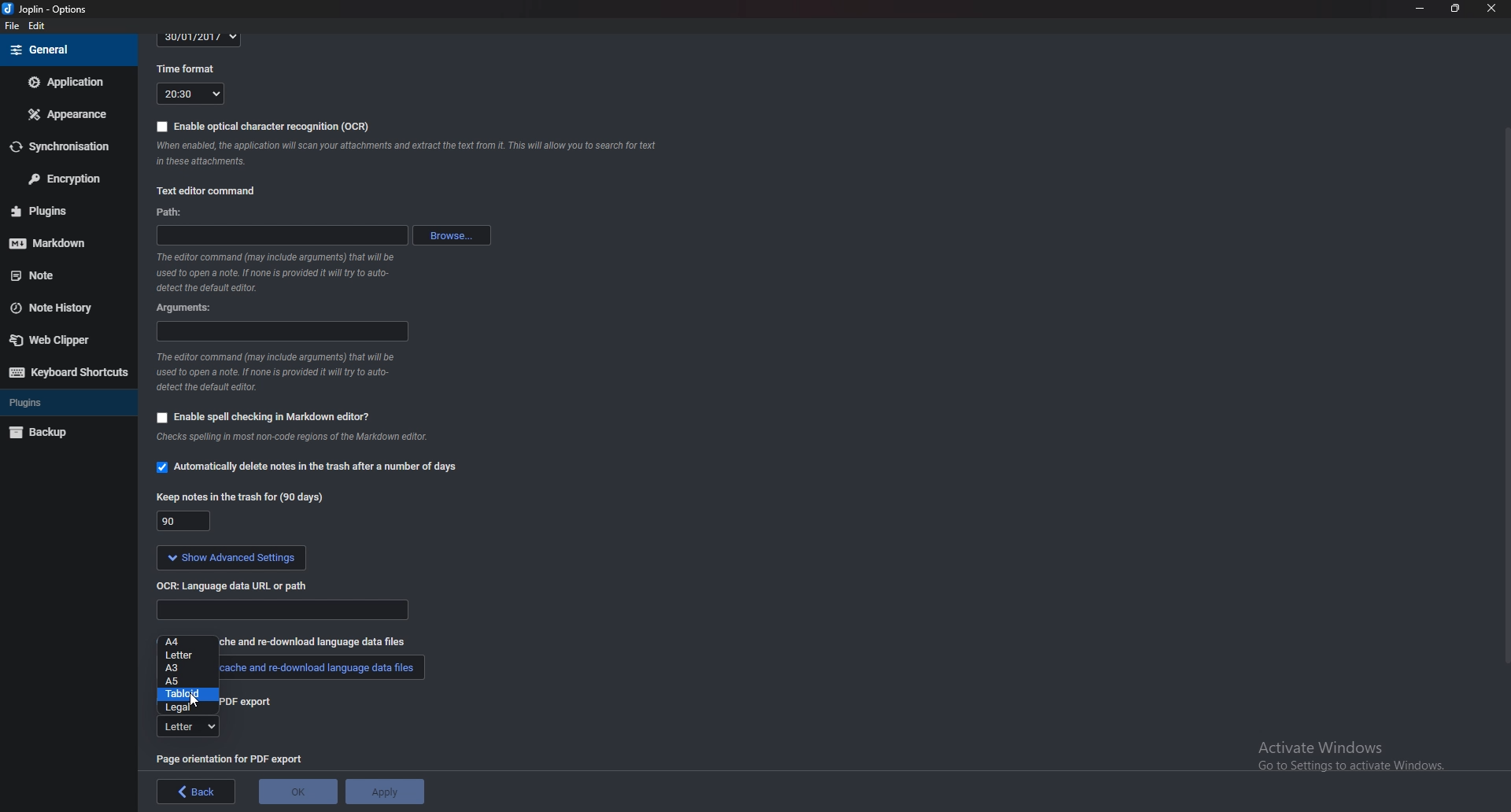 The width and height of the screenshot is (1511, 812). What do you see at coordinates (190, 681) in the screenshot?
I see `A5` at bounding box center [190, 681].